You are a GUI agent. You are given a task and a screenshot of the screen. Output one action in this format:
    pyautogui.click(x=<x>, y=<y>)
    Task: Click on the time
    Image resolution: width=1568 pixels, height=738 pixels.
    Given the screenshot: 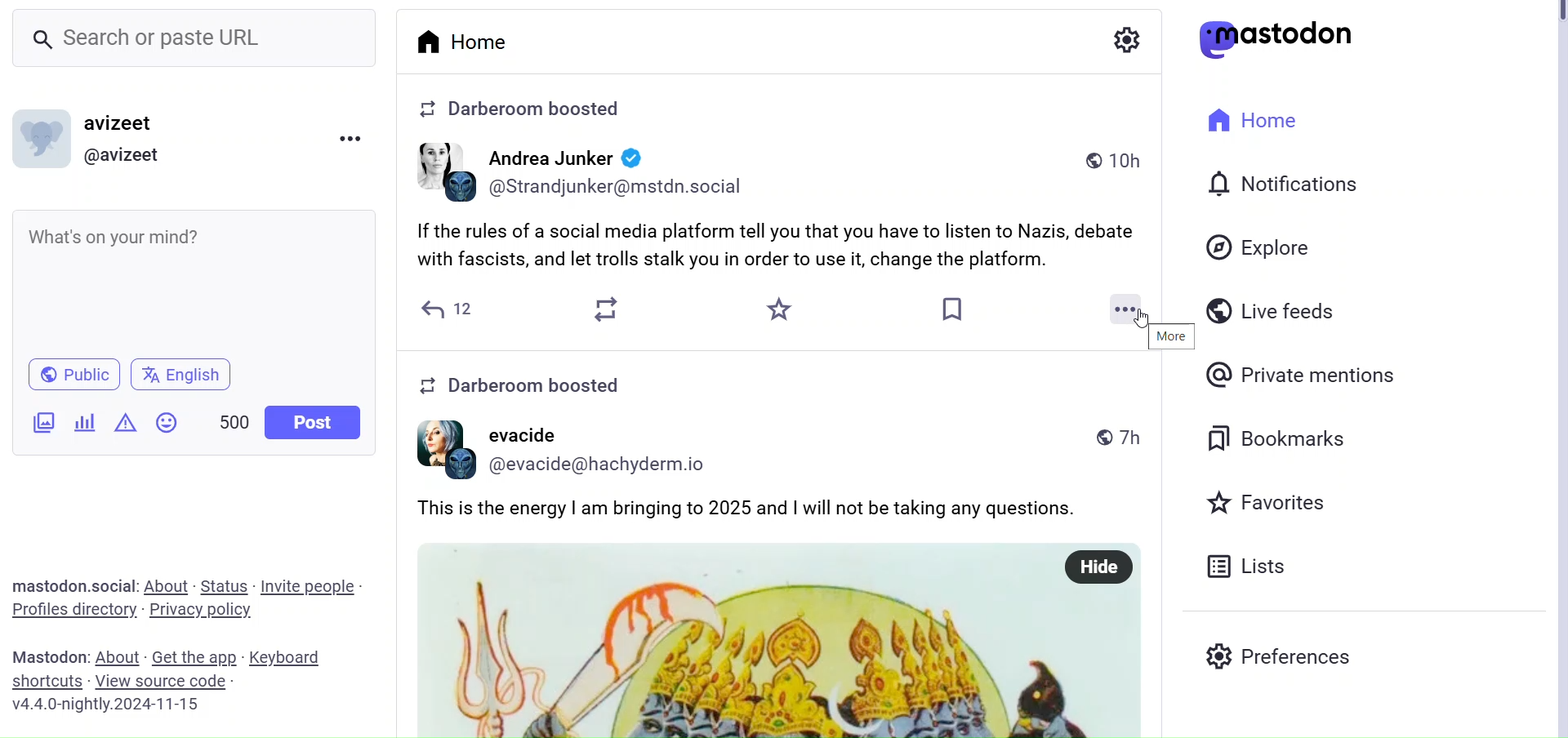 What is the action you would take?
    pyautogui.click(x=1109, y=162)
    